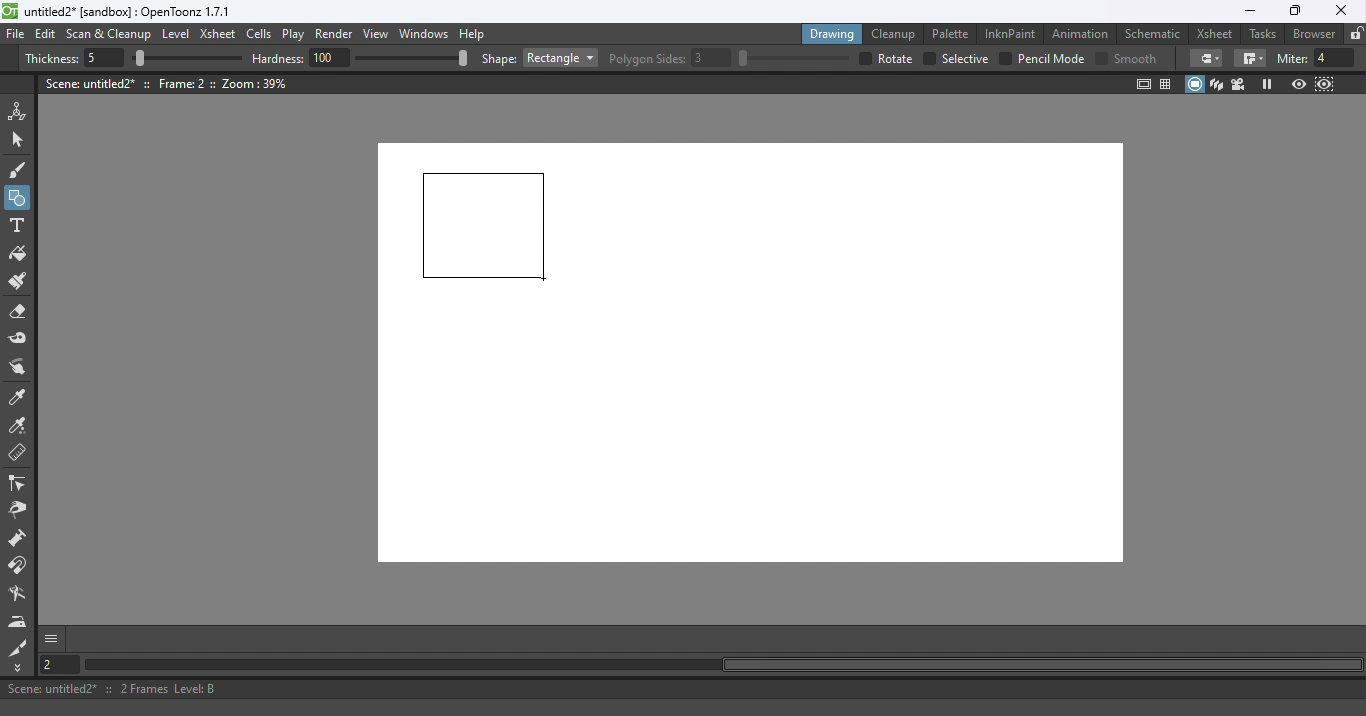 The width and height of the screenshot is (1366, 716). I want to click on Close, so click(1340, 11).